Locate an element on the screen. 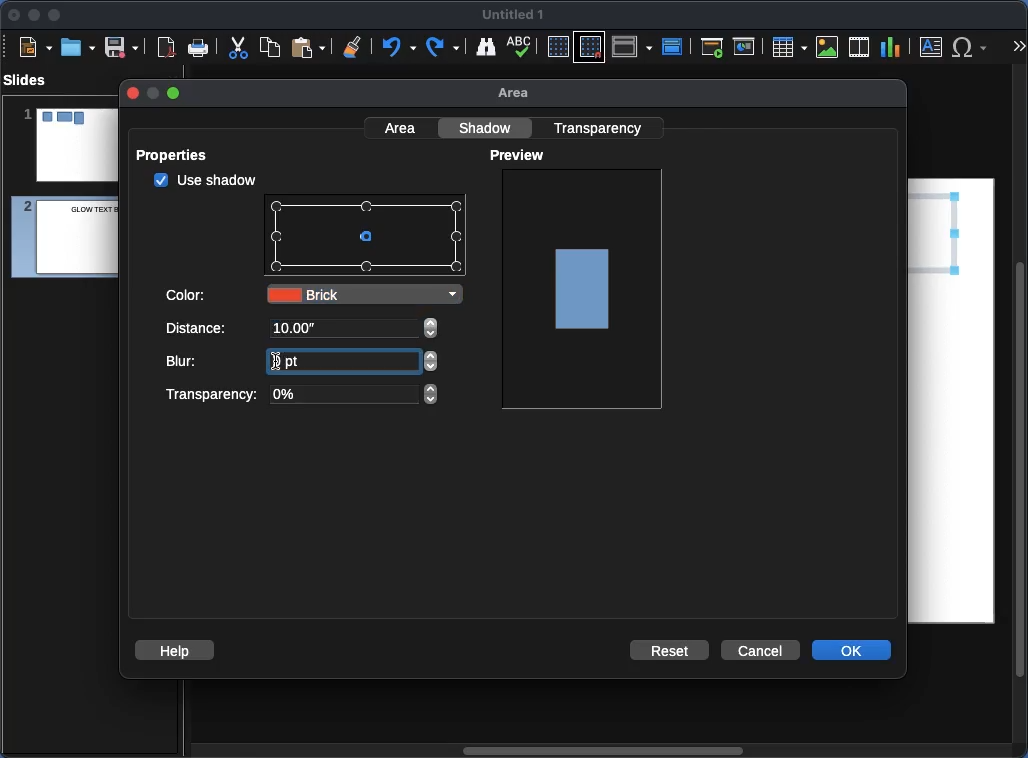 This screenshot has height=758, width=1028. Print is located at coordinates (199, 49).